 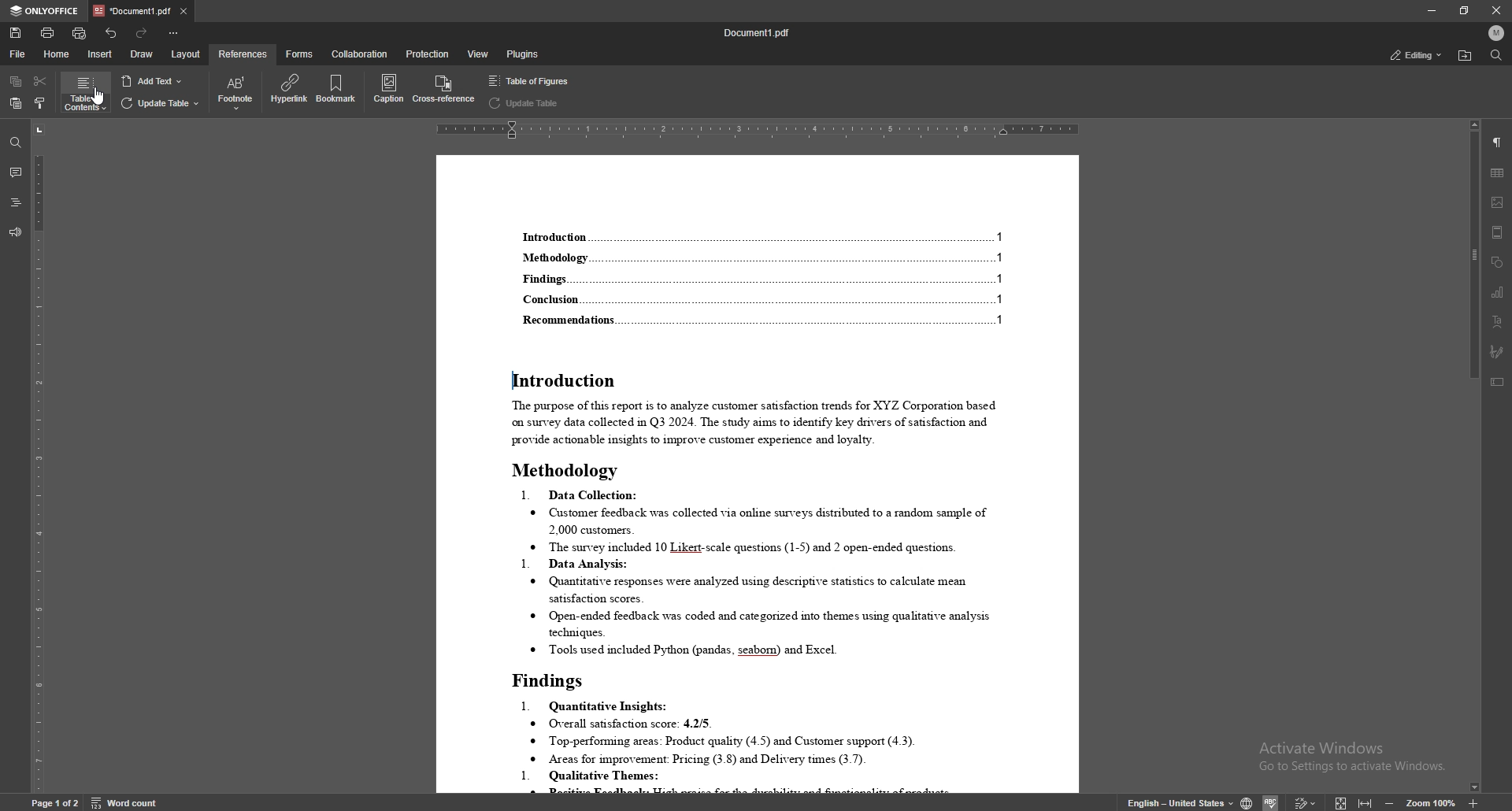 I want to click on print, so click(x=48, y=32).